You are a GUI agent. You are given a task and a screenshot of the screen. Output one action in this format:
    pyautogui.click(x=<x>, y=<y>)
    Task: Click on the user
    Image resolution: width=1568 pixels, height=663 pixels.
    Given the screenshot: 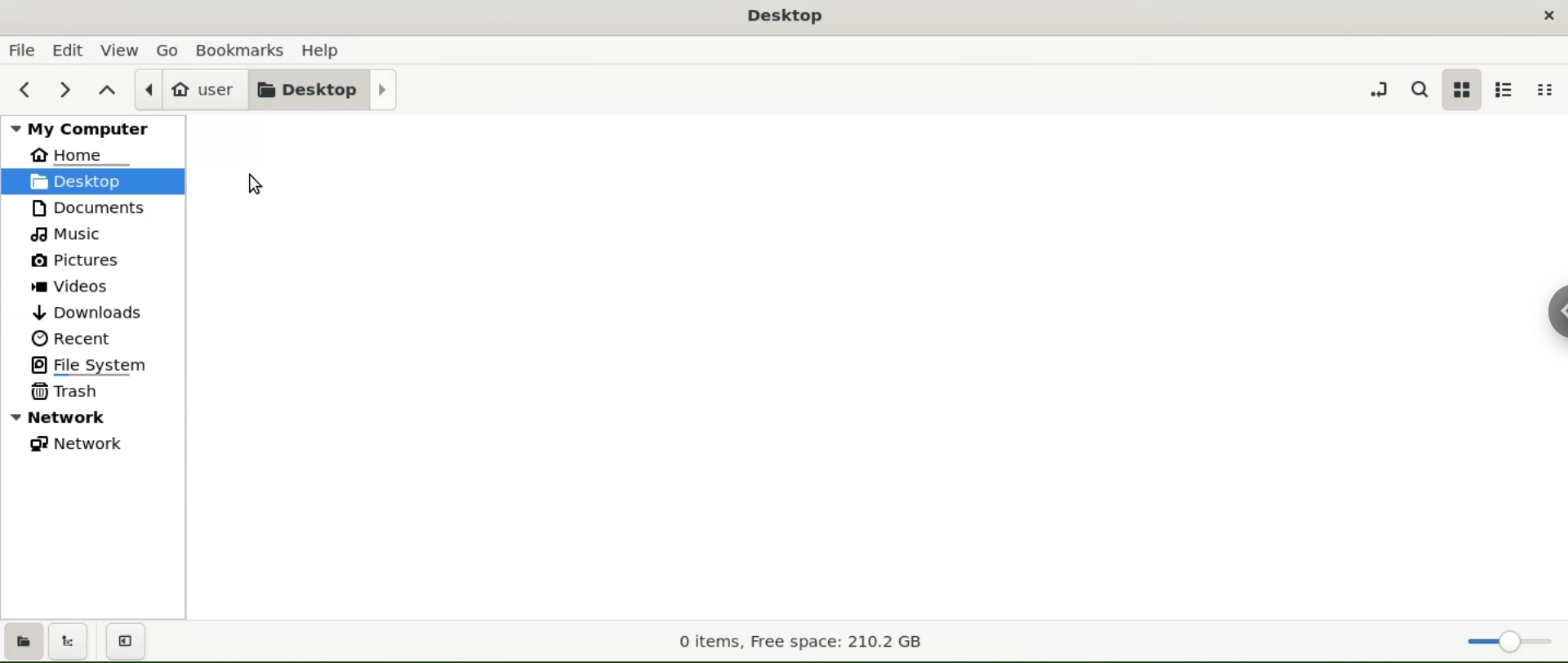 What is the action you would take?
    pyautogui.click(x=192, y=90)
    